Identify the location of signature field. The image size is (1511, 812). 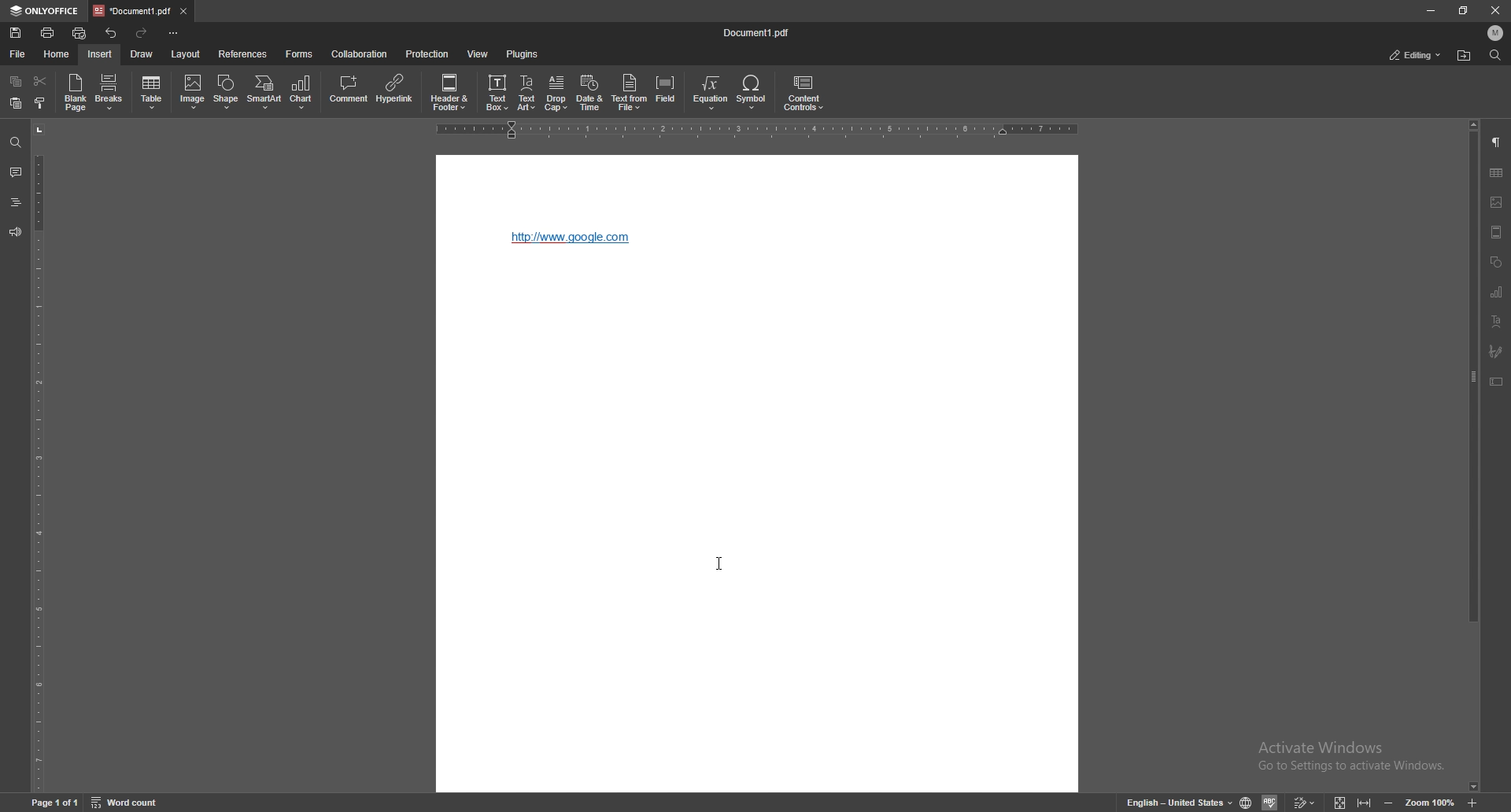
(1496, 352).